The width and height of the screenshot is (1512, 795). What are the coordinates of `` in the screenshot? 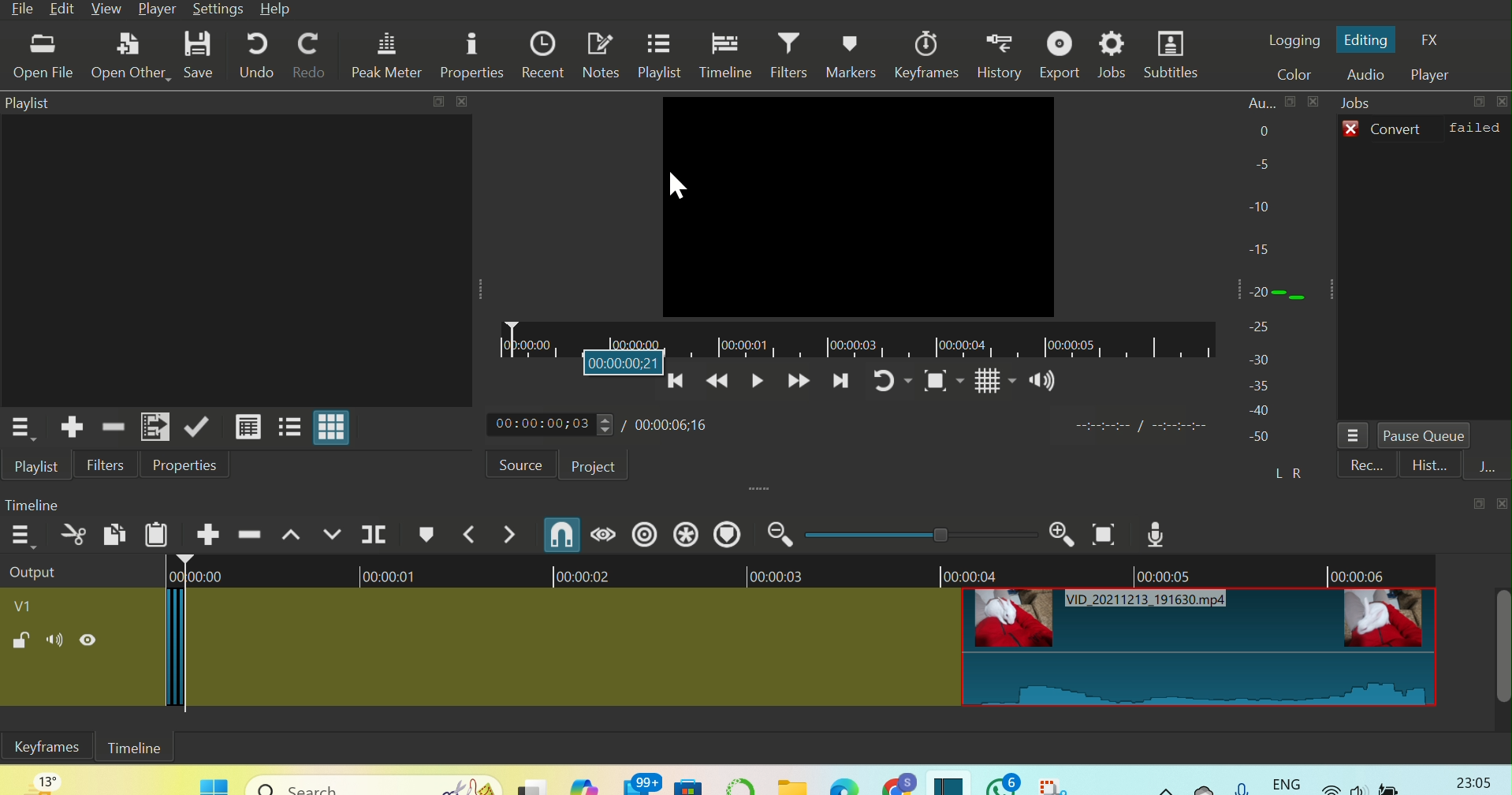 It's located at (208, 780).